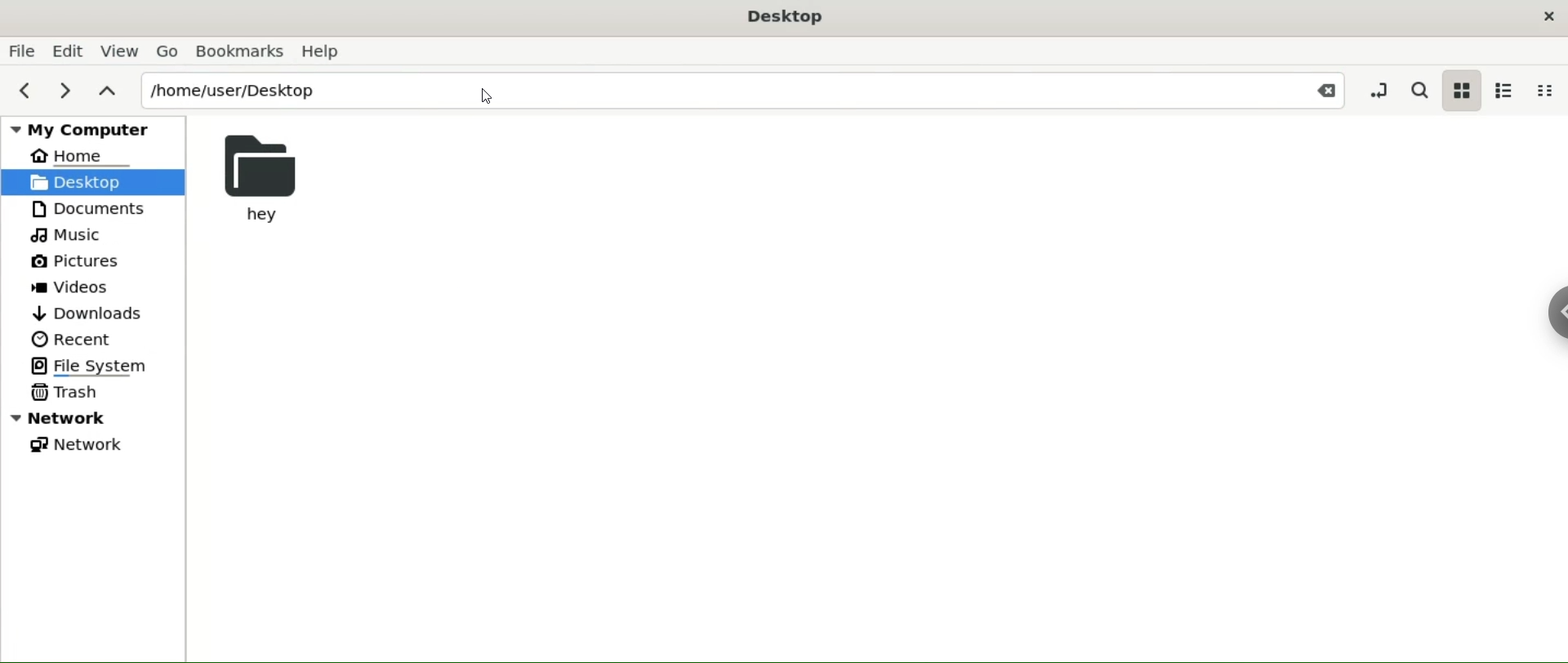  Describe the element at coordinates (786, 19) in the screenshot. I see `Desktop` at that location.